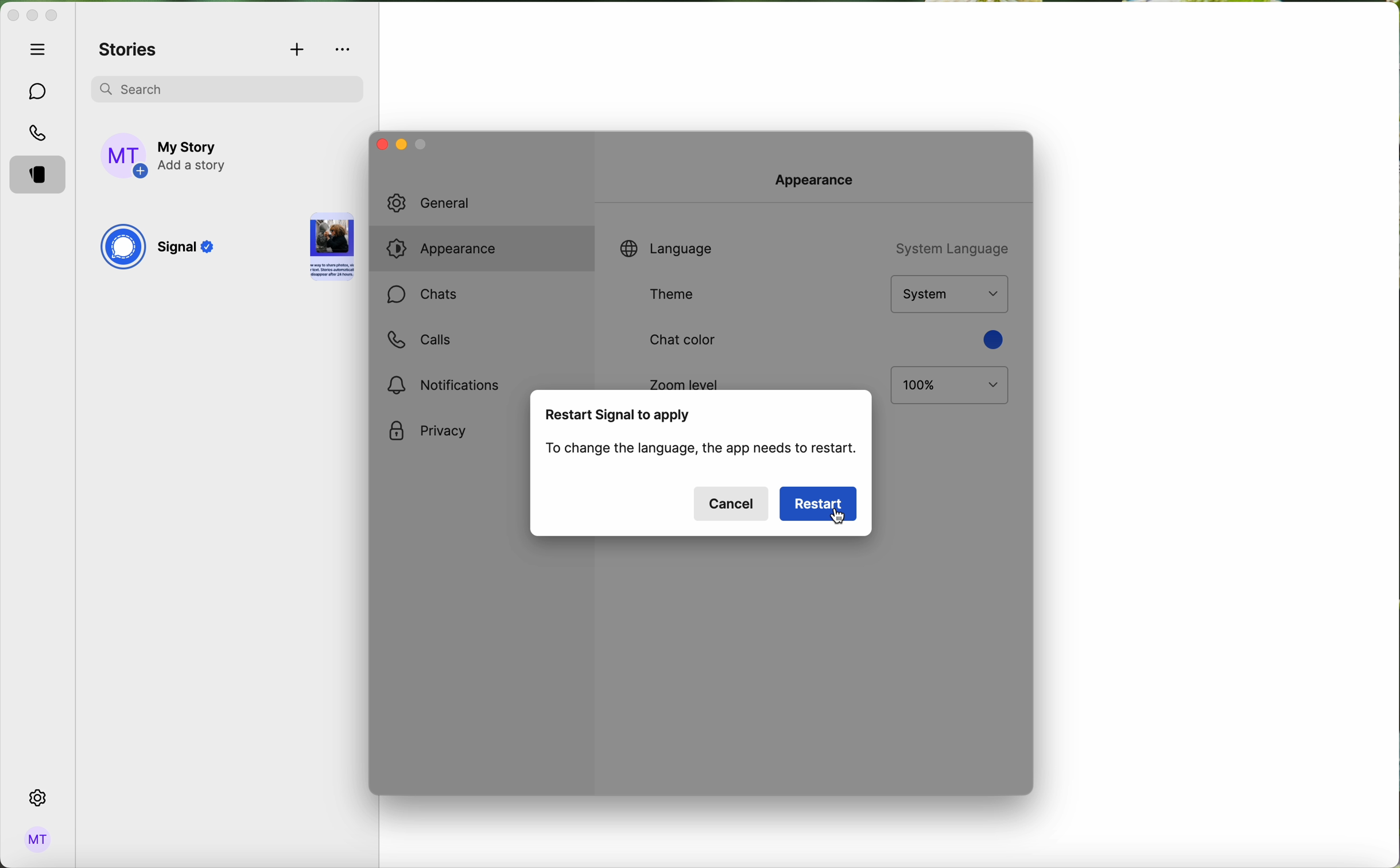 Image resolution: width=1400 pixels, height=868 pixels. Describe the element at coordinates (400, 146) in the screenshot. I see `minimize` at that location.